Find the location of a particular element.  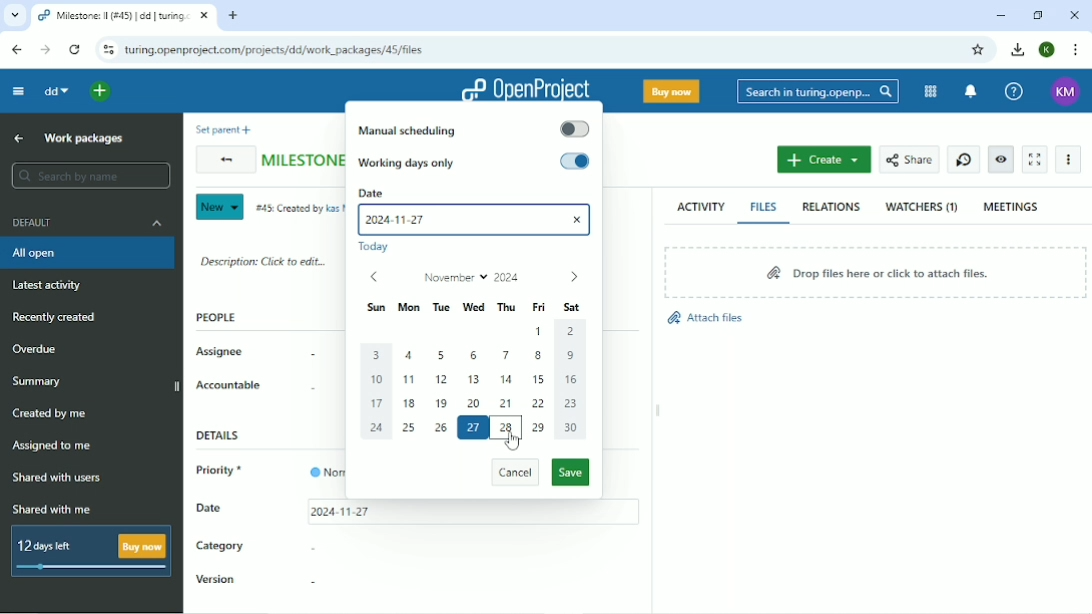

Priority is located at coordinates (224, 472).